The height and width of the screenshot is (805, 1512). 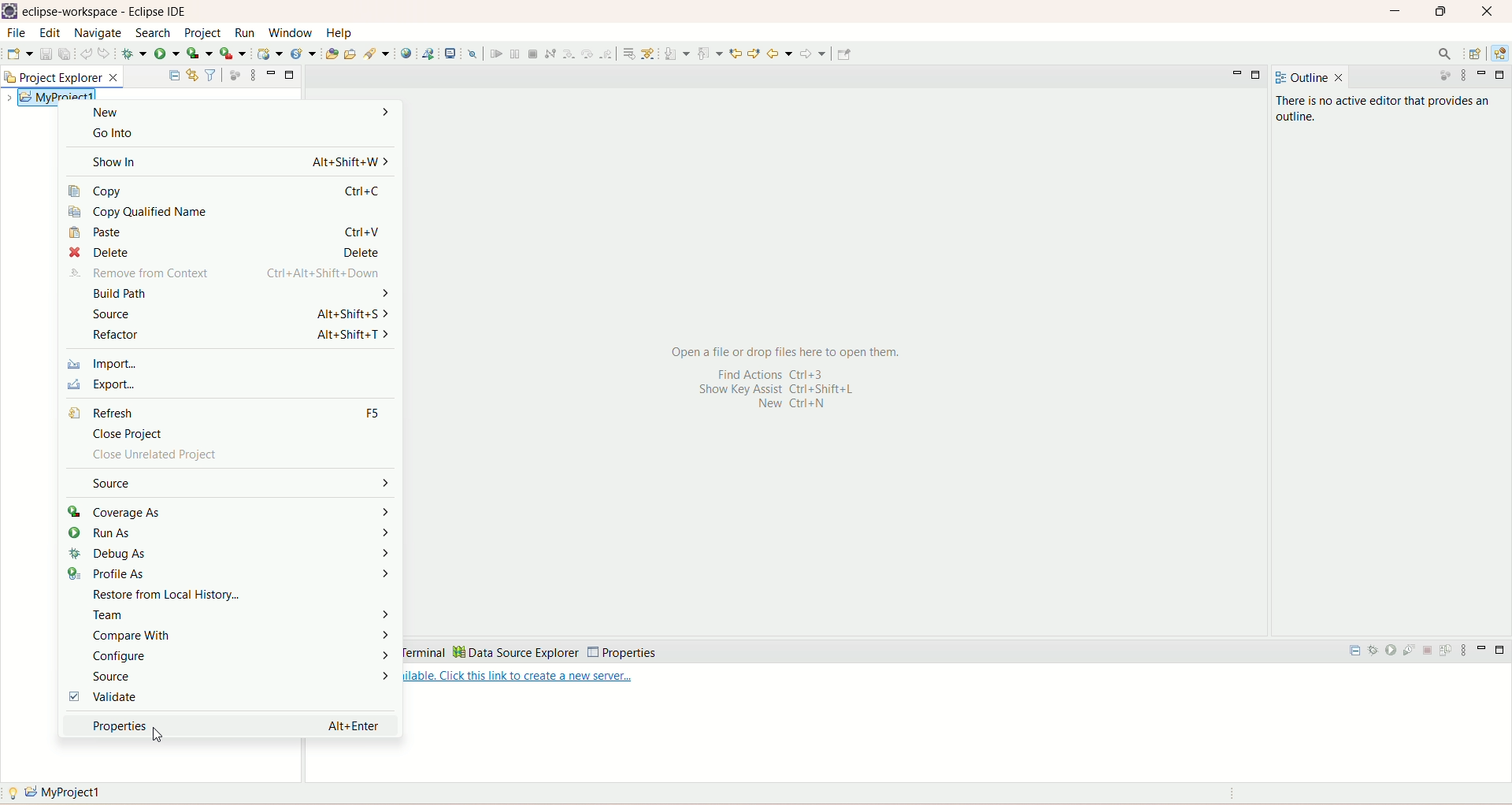 What do you see at coordinates (710, 54) in the screenshot?
I see `previous annotation` at bounding box center [710, 54].